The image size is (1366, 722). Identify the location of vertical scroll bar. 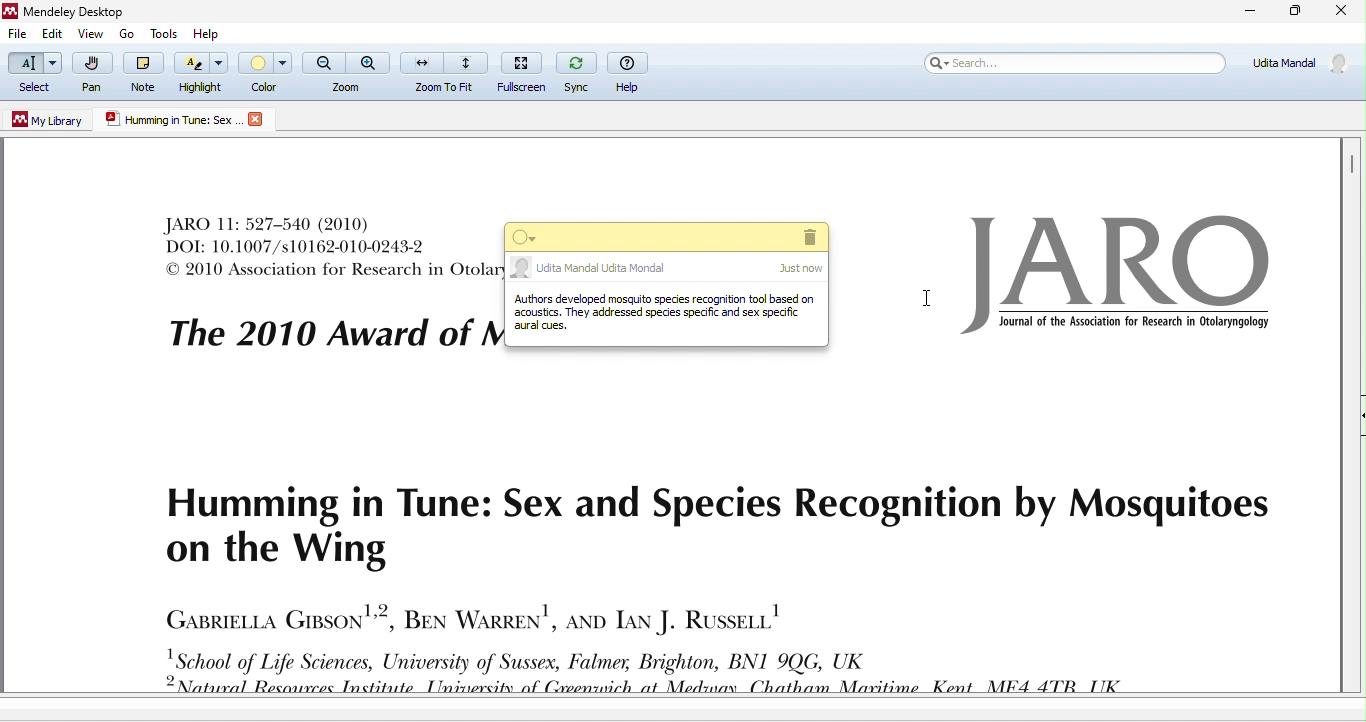
(1352, 166).